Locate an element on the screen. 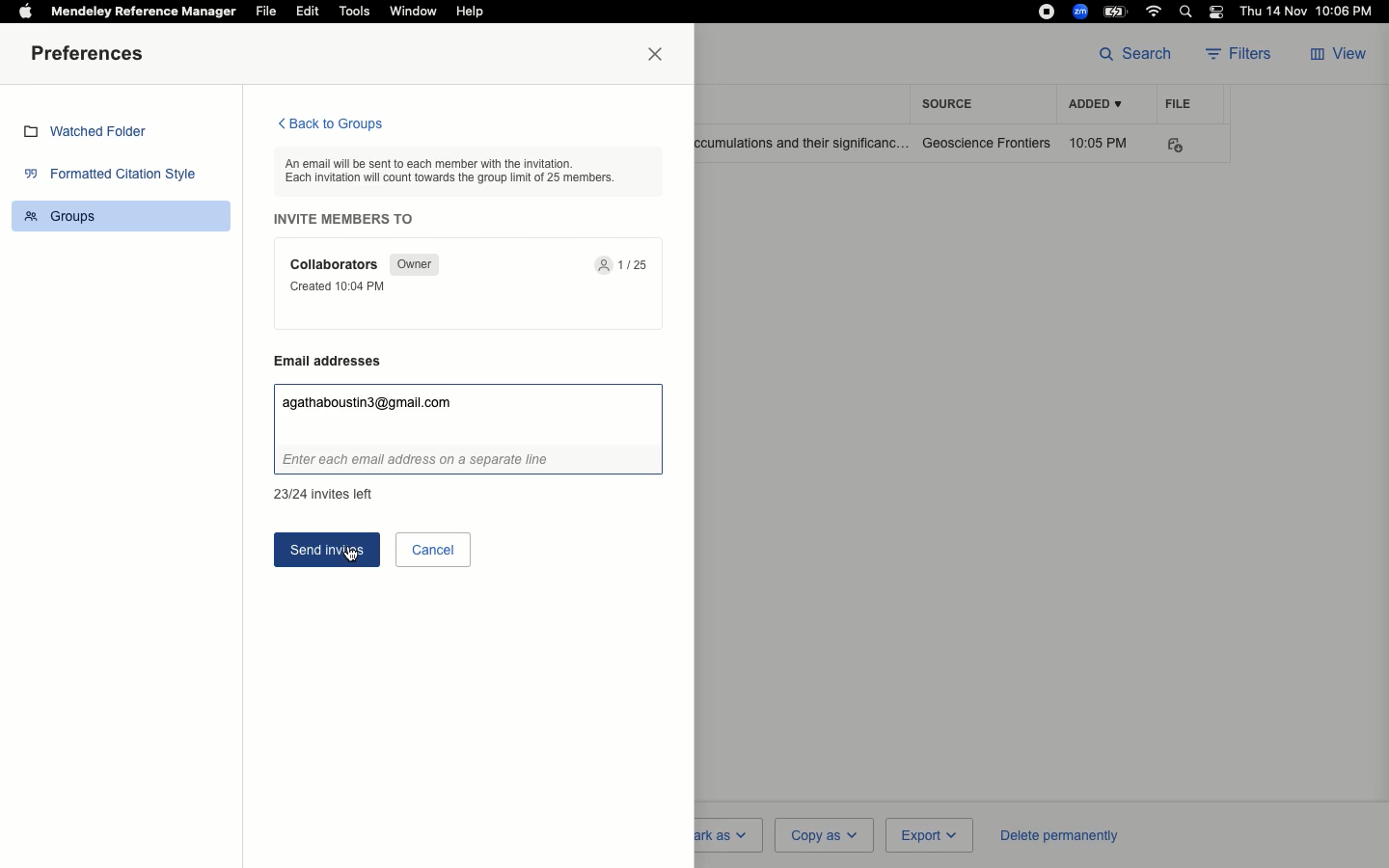 The image size is (1389, 868). Internet is located at coordinates (1156, 12).